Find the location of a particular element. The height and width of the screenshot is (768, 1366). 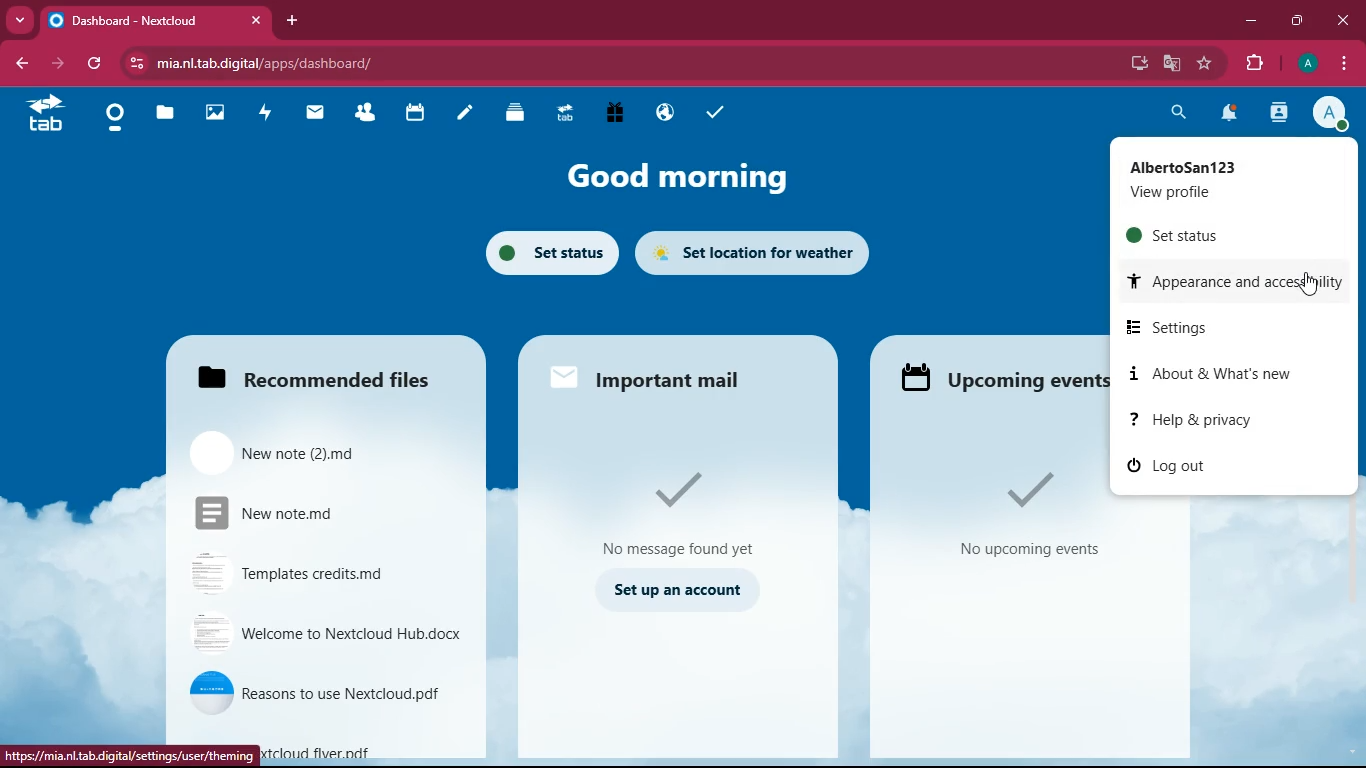

set up is located at coordinates (675, 591).